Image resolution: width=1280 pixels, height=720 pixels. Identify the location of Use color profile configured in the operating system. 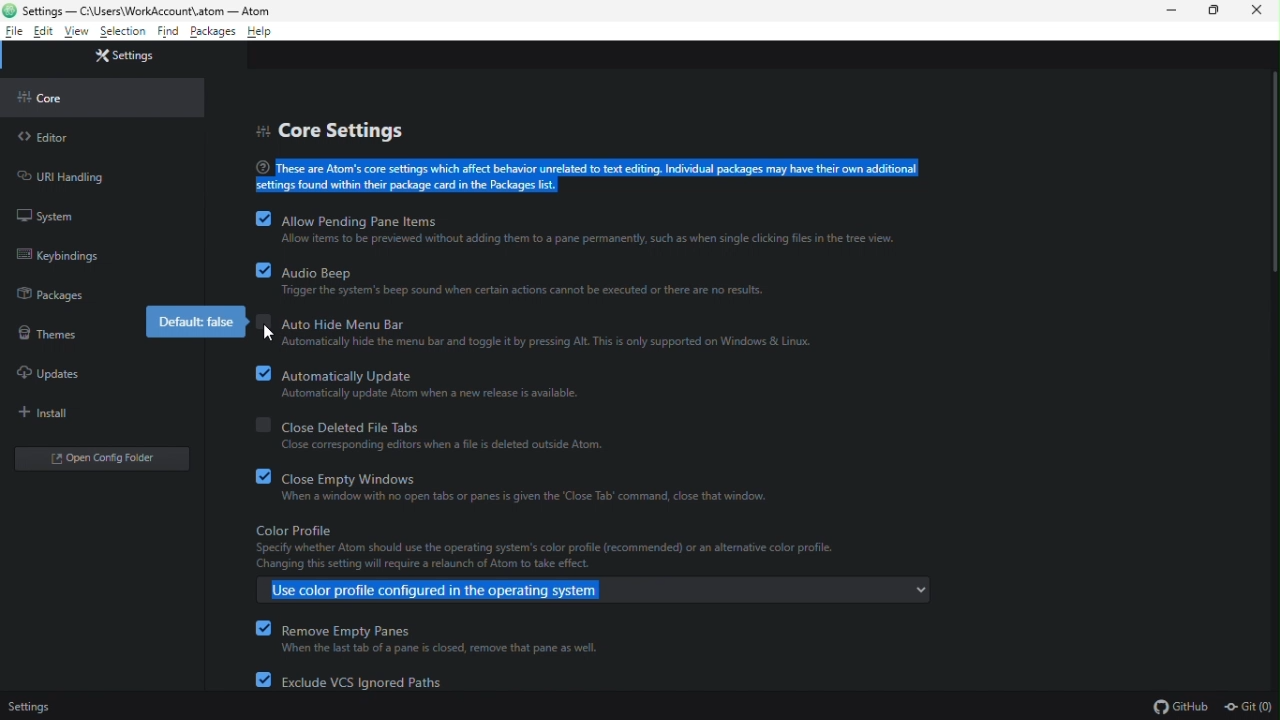
(450, 590).